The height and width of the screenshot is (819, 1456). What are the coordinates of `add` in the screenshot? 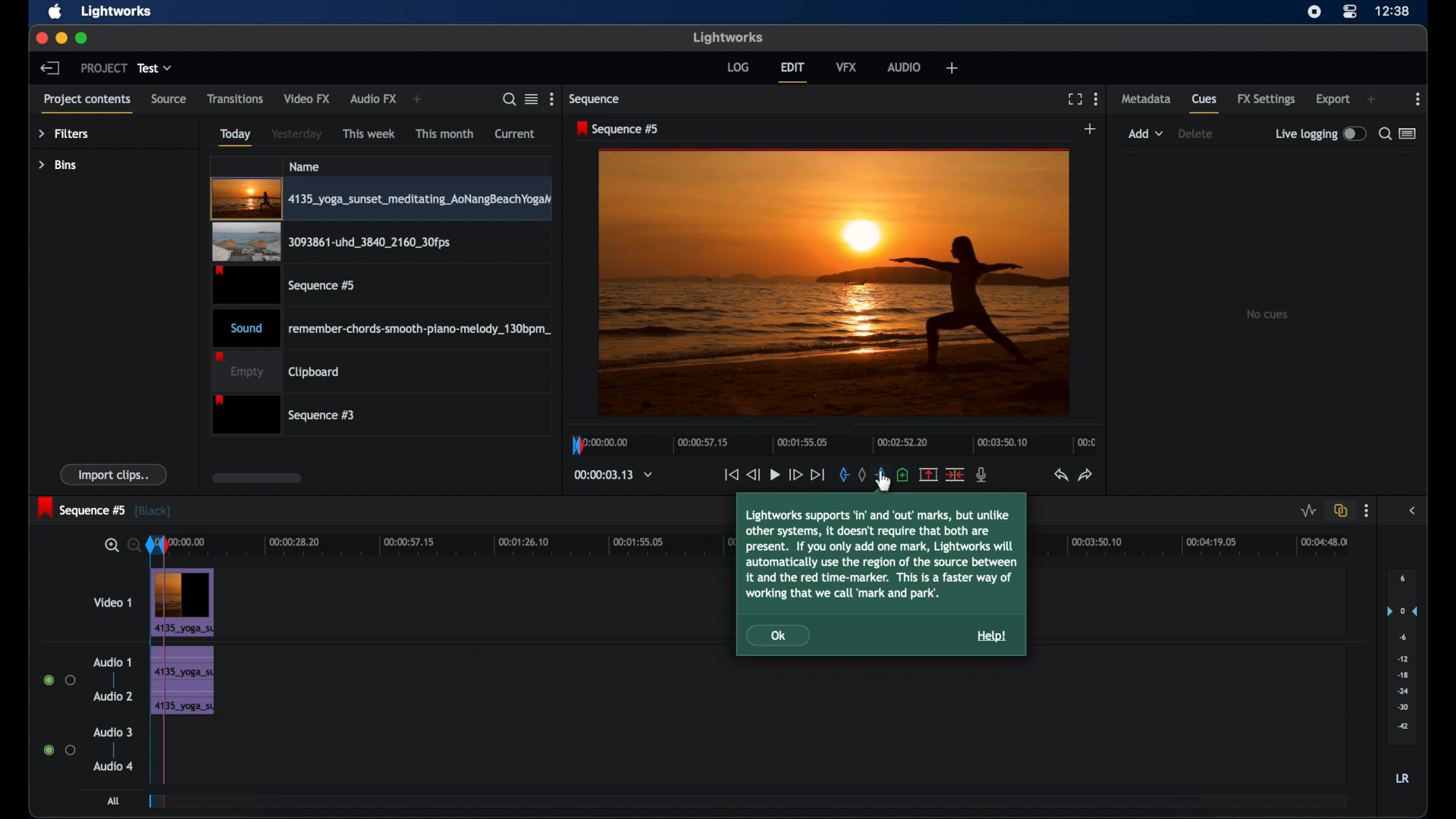 It's located at (952, 69).